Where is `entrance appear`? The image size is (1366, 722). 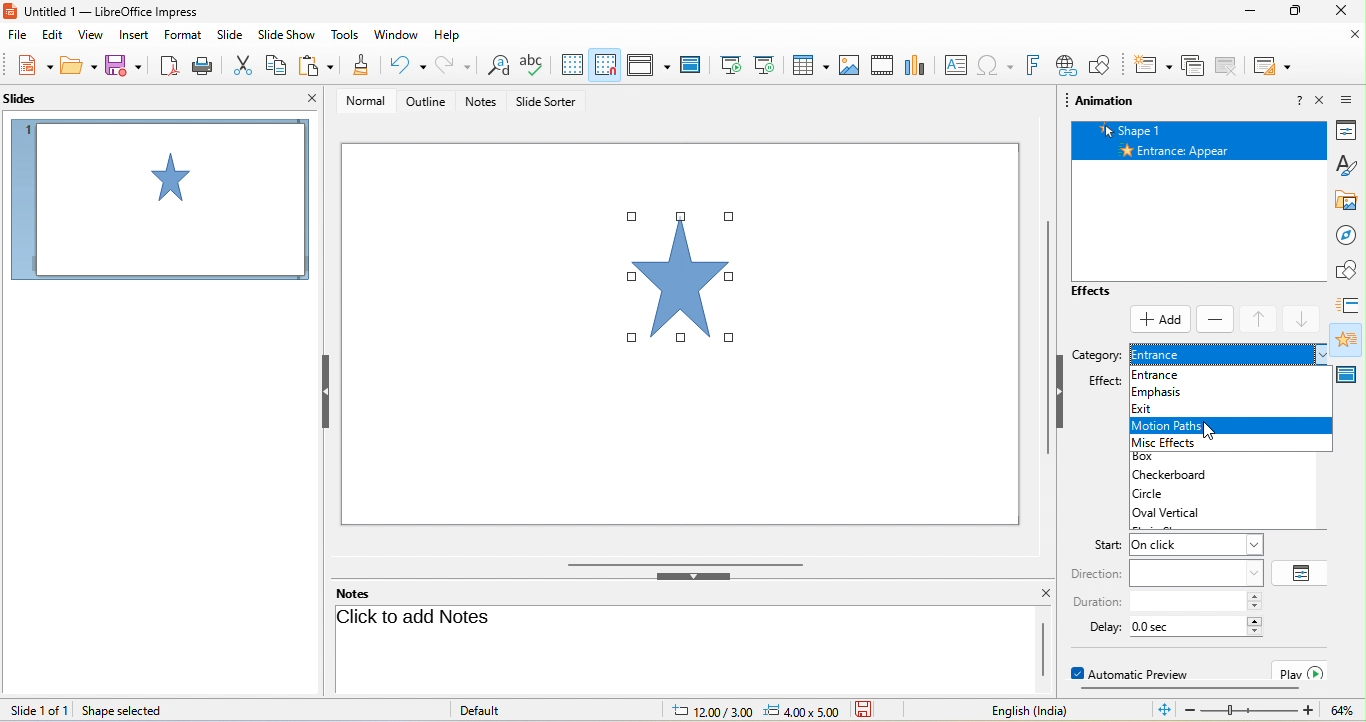 entrance appear is located at coordinates (1202, 150).